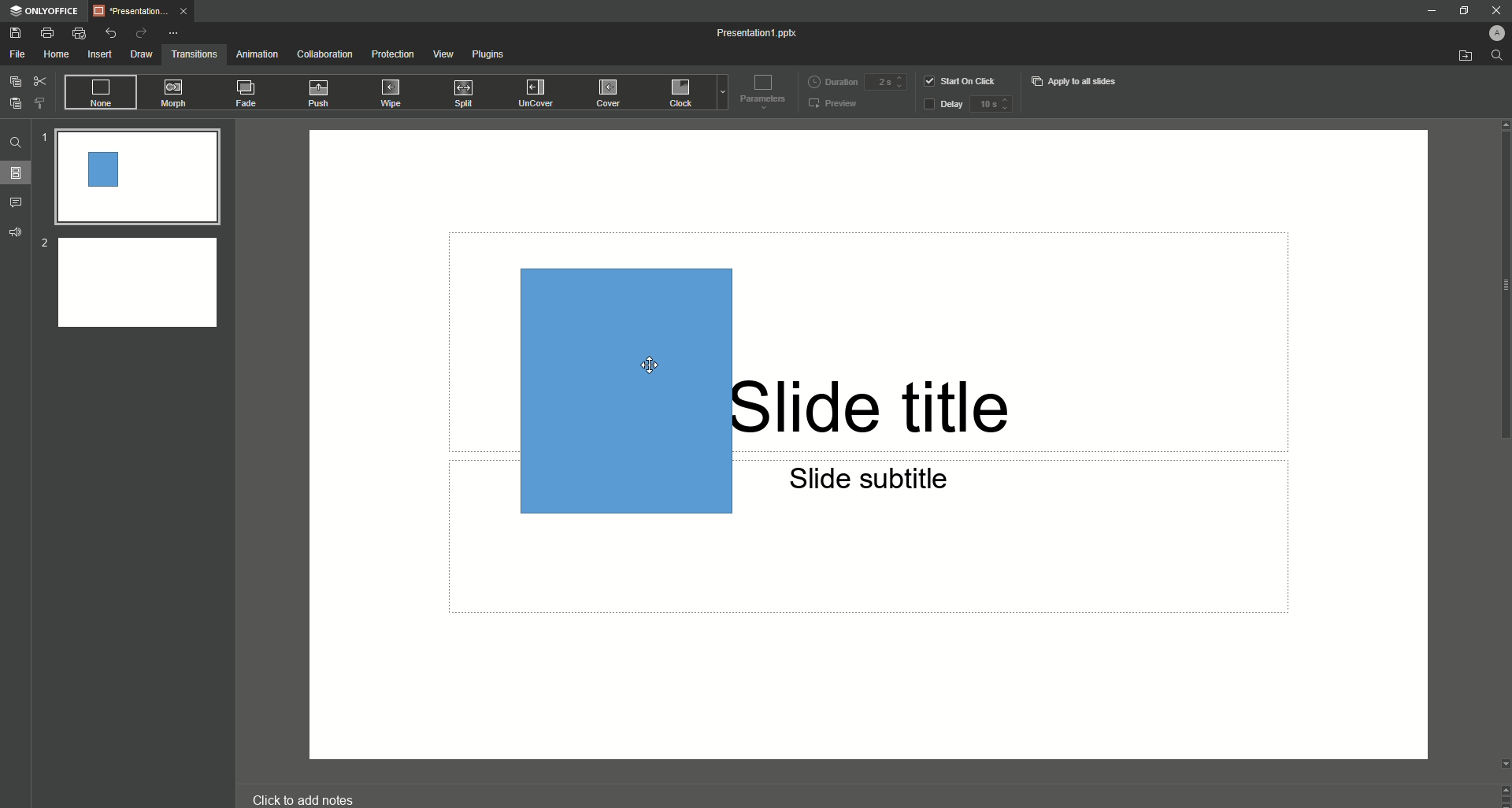 The image size is (1512, 808). I want to click on Collaboration, so click(324, 52).